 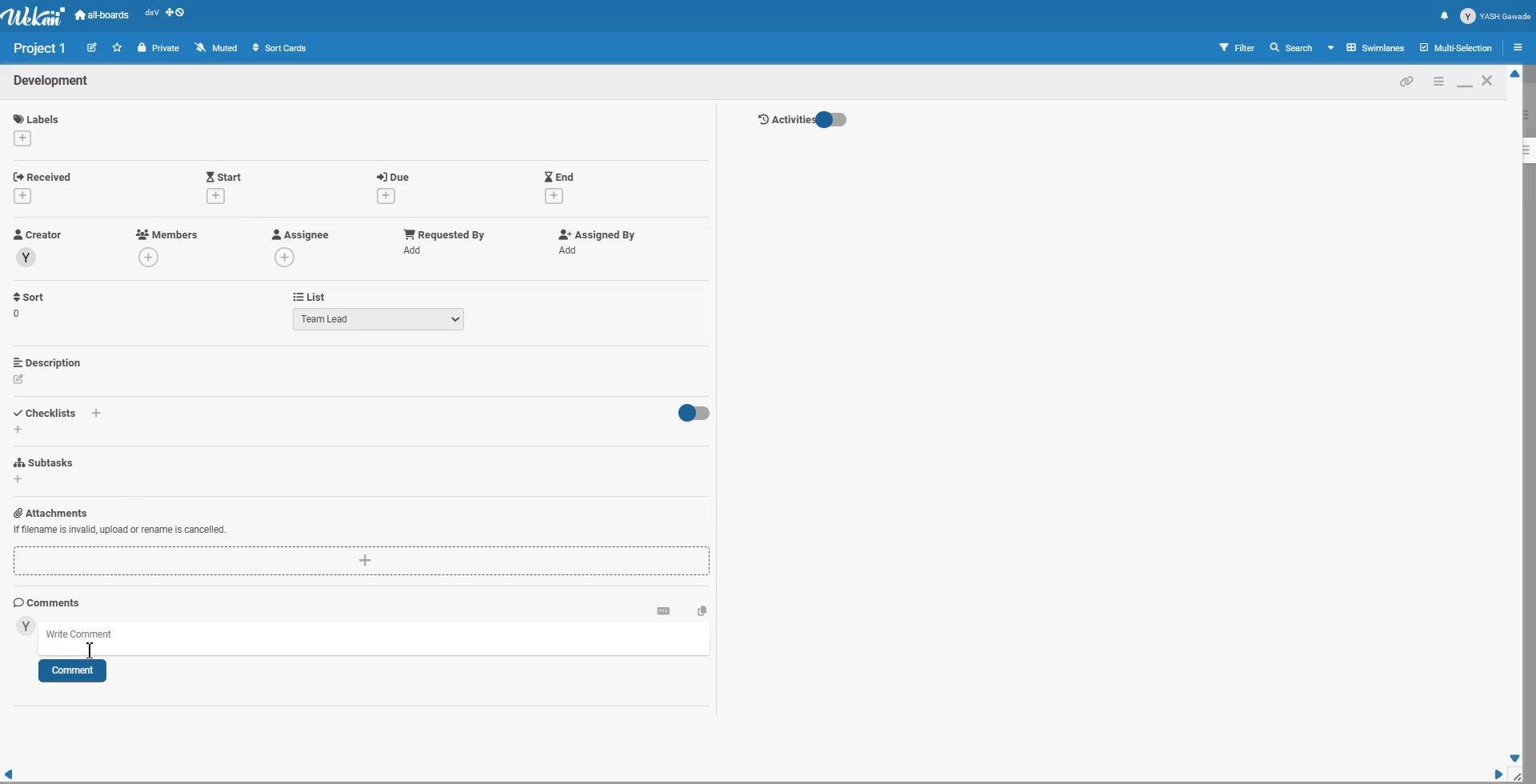 I want to click on Minimize, so click(x=1438, y=81).